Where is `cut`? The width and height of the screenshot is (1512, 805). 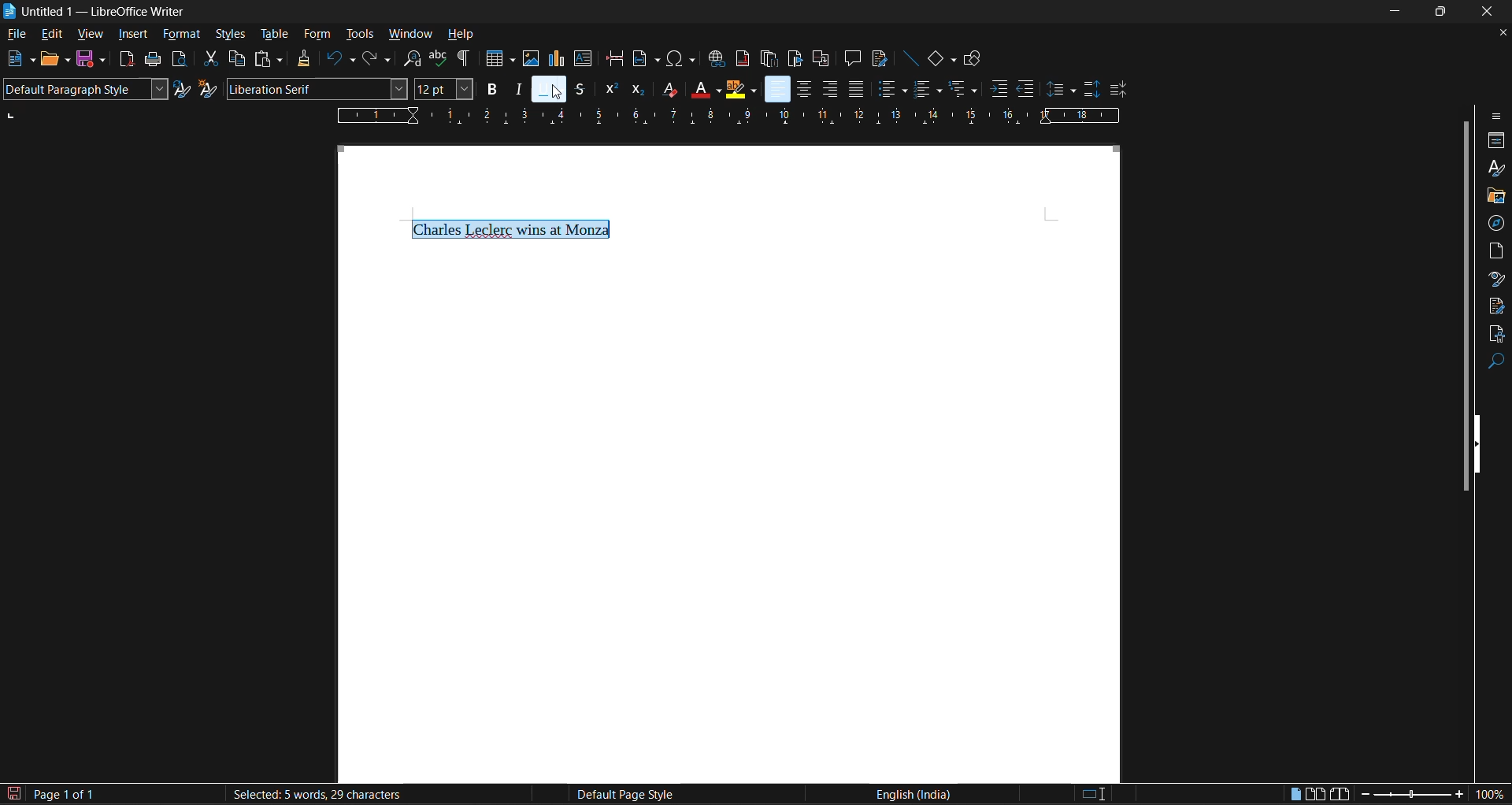
cut is located at coordinates (209, 58).